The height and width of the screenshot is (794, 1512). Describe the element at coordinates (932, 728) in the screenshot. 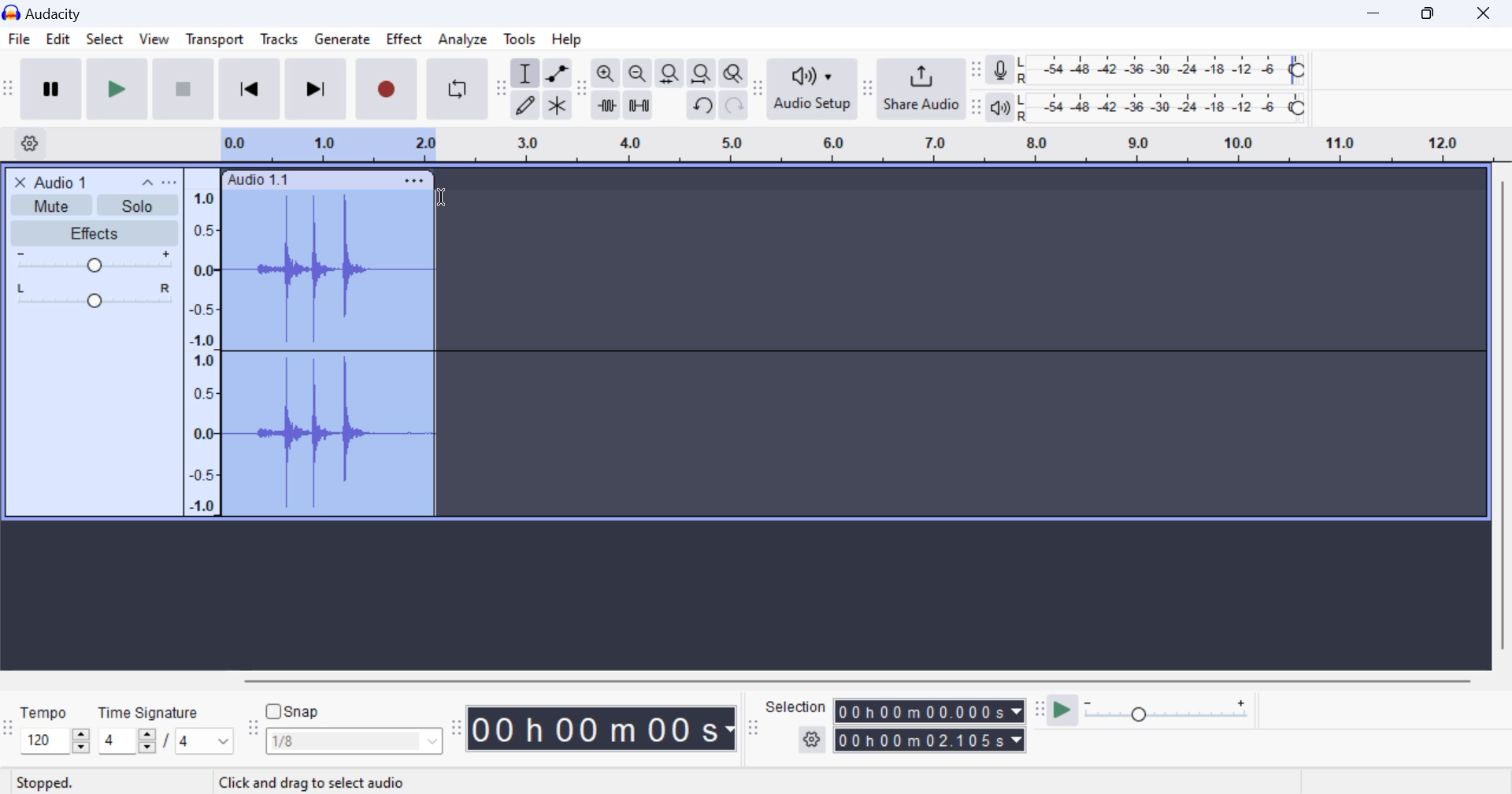

I see `Selected Clip Length` at that location.